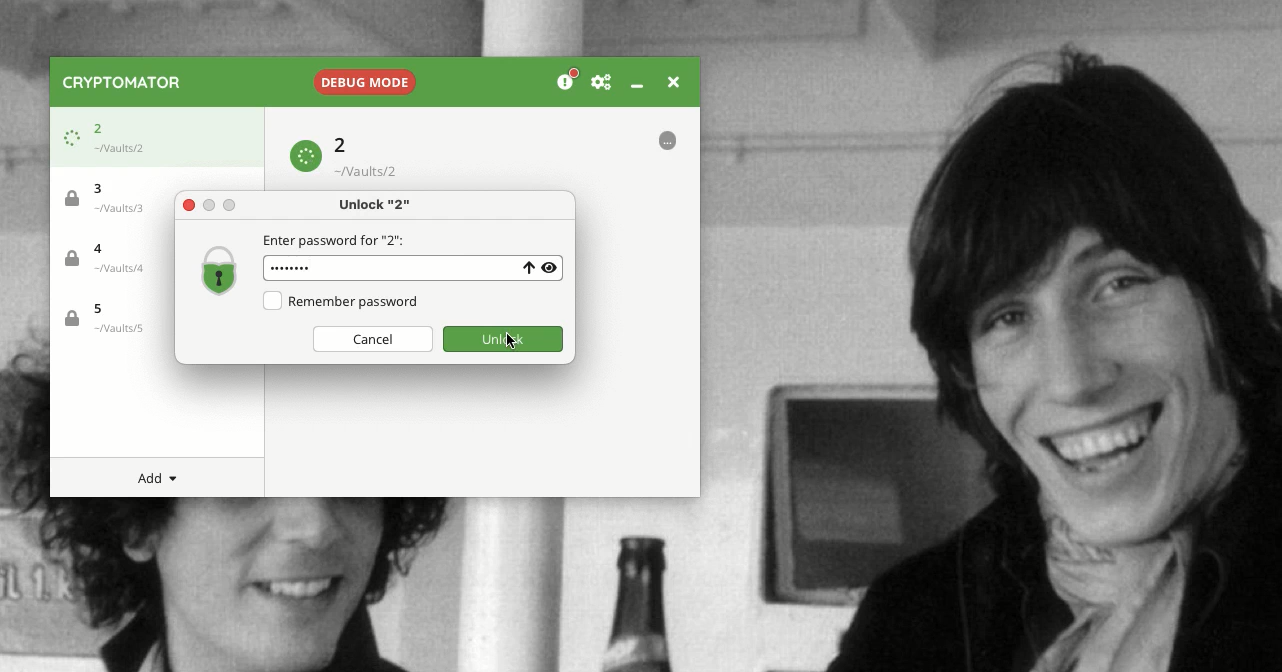 The width and height of the screenshot is (1282, 672). What do you see at coordinates (551, 267) in the screenshot?
I see `View` at bounding box center [551, 267].